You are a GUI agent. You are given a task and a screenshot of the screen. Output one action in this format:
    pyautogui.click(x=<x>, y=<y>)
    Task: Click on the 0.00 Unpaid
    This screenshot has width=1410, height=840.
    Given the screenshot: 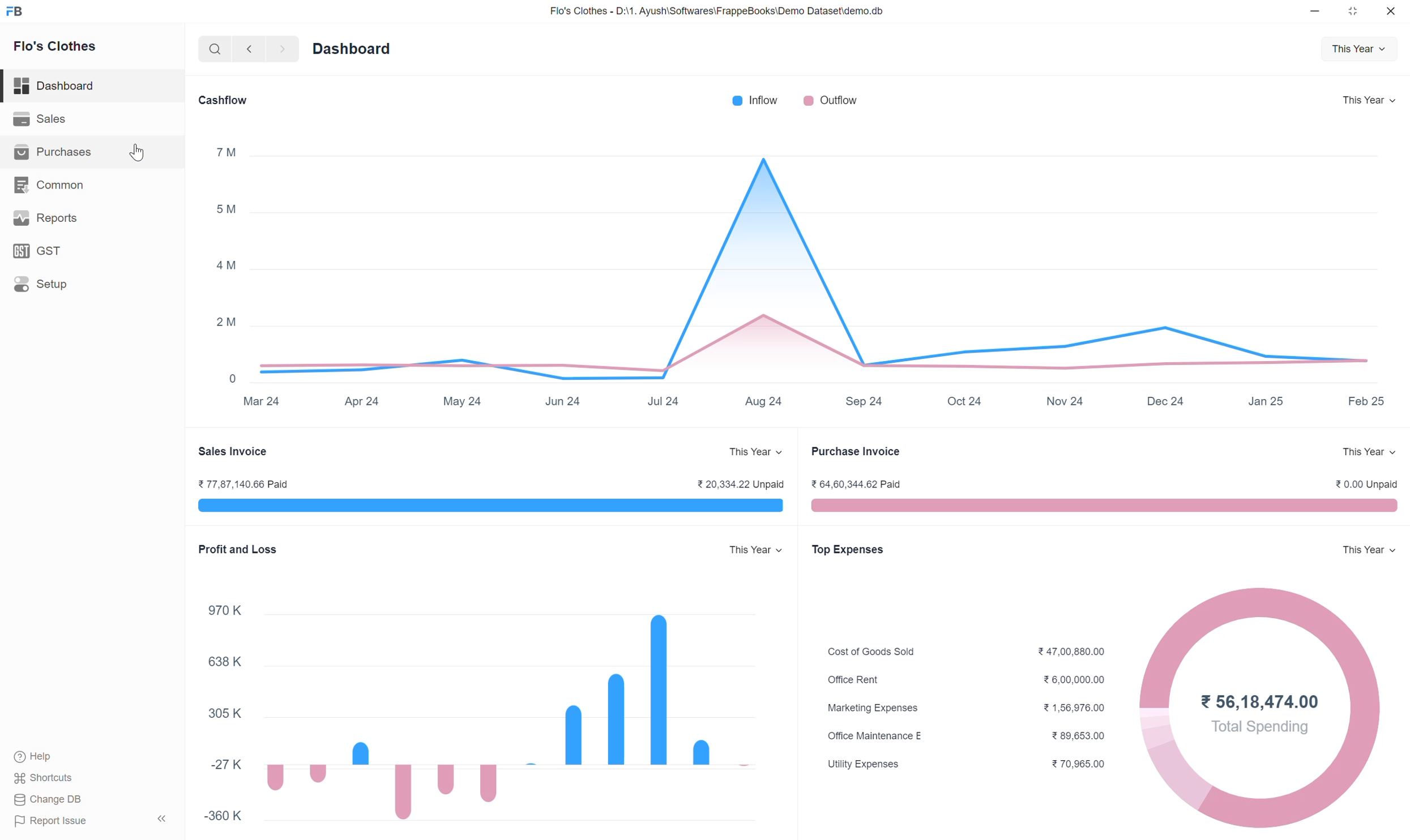 What is the action you would take?
    pyautogui.click(x=1365, y=484)
    